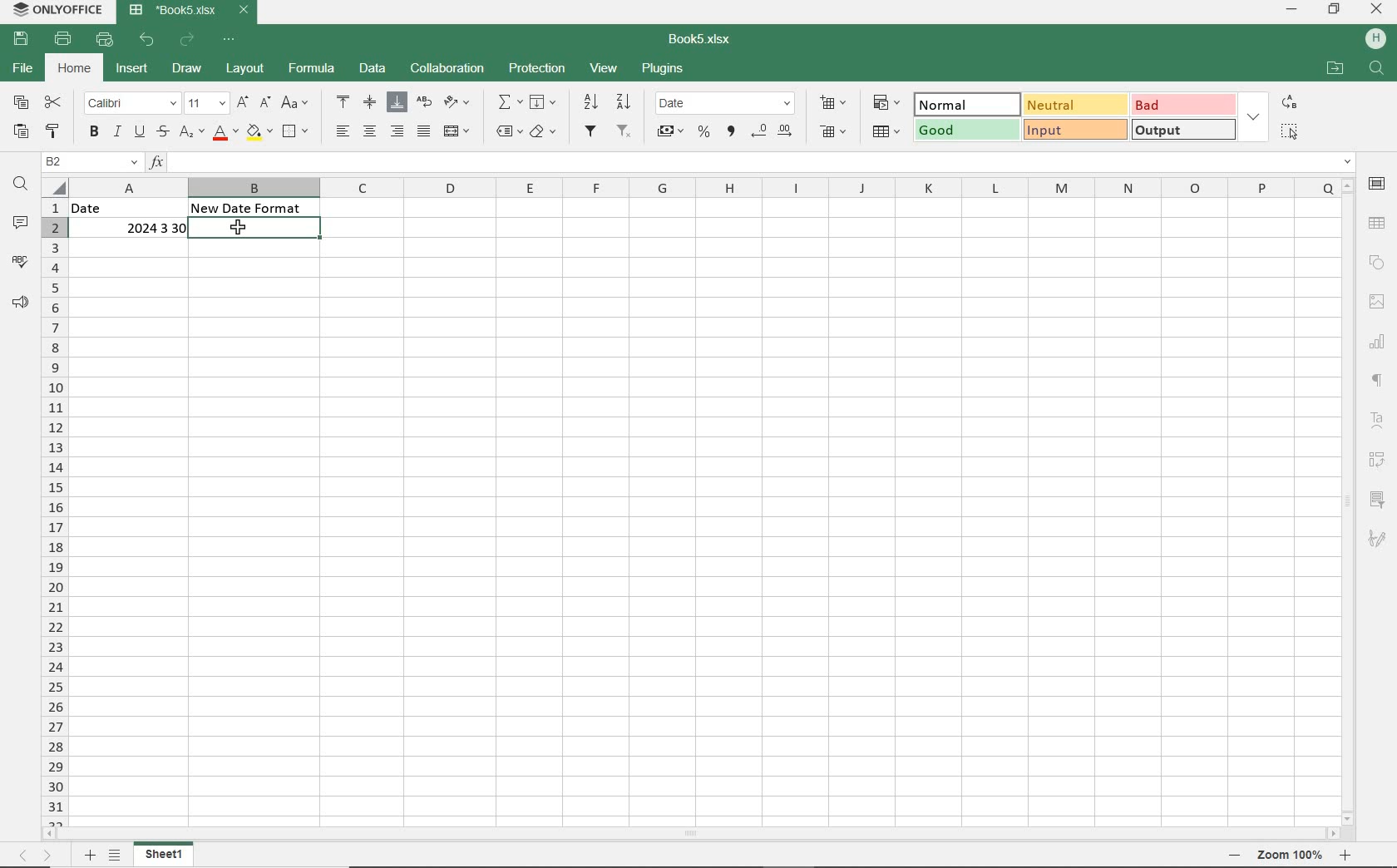 The width and height of the screenshot is (1397, 868). Describe the element at coordinates (297, 104) in the screenshot. I see `CHANGE CASE` at that location.